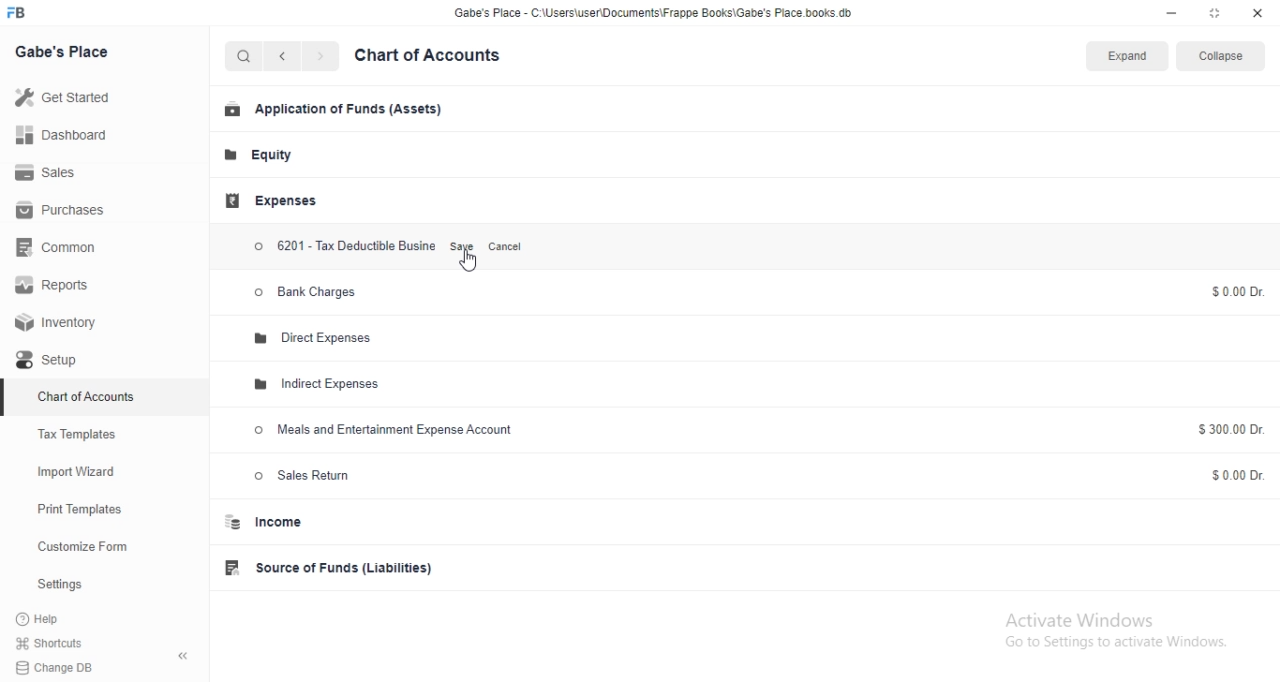 This screenshot has height=682, width=1280. Describe the element at coordinates (246, 57) in the screenshot. I see `Search` at that location.